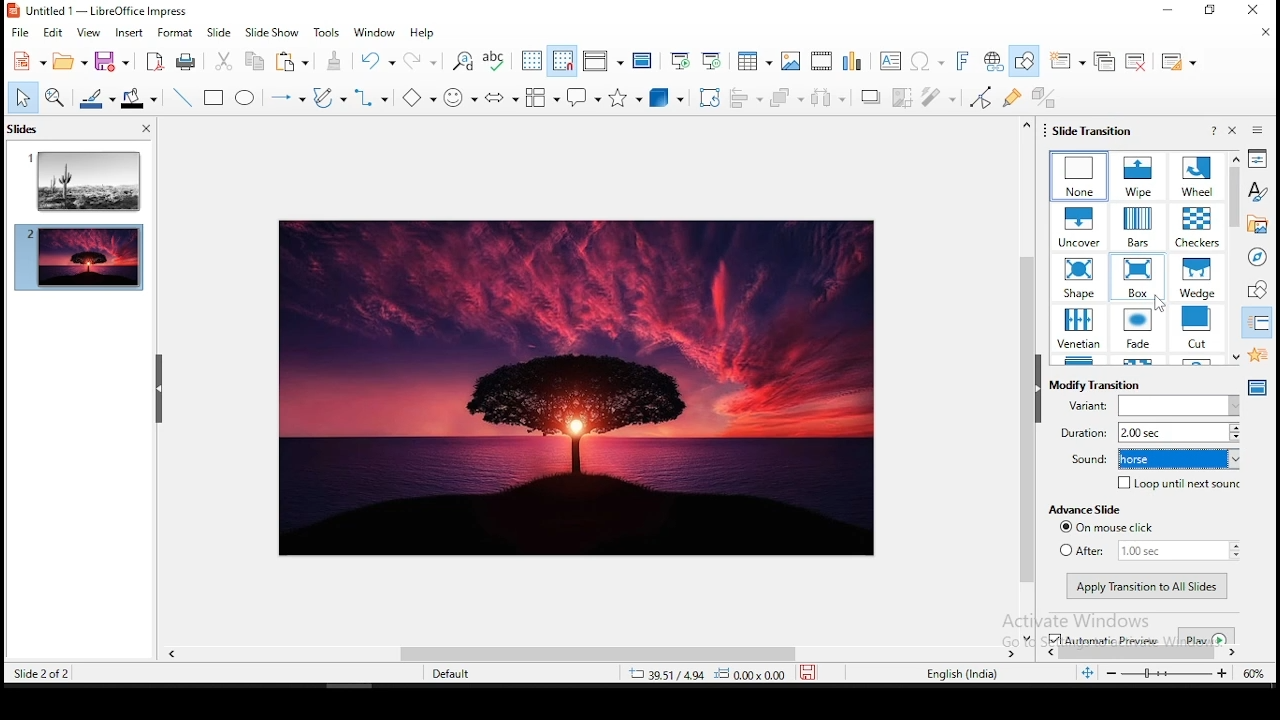  I want to click on toggle extrusiuon, so click(1043, 96).